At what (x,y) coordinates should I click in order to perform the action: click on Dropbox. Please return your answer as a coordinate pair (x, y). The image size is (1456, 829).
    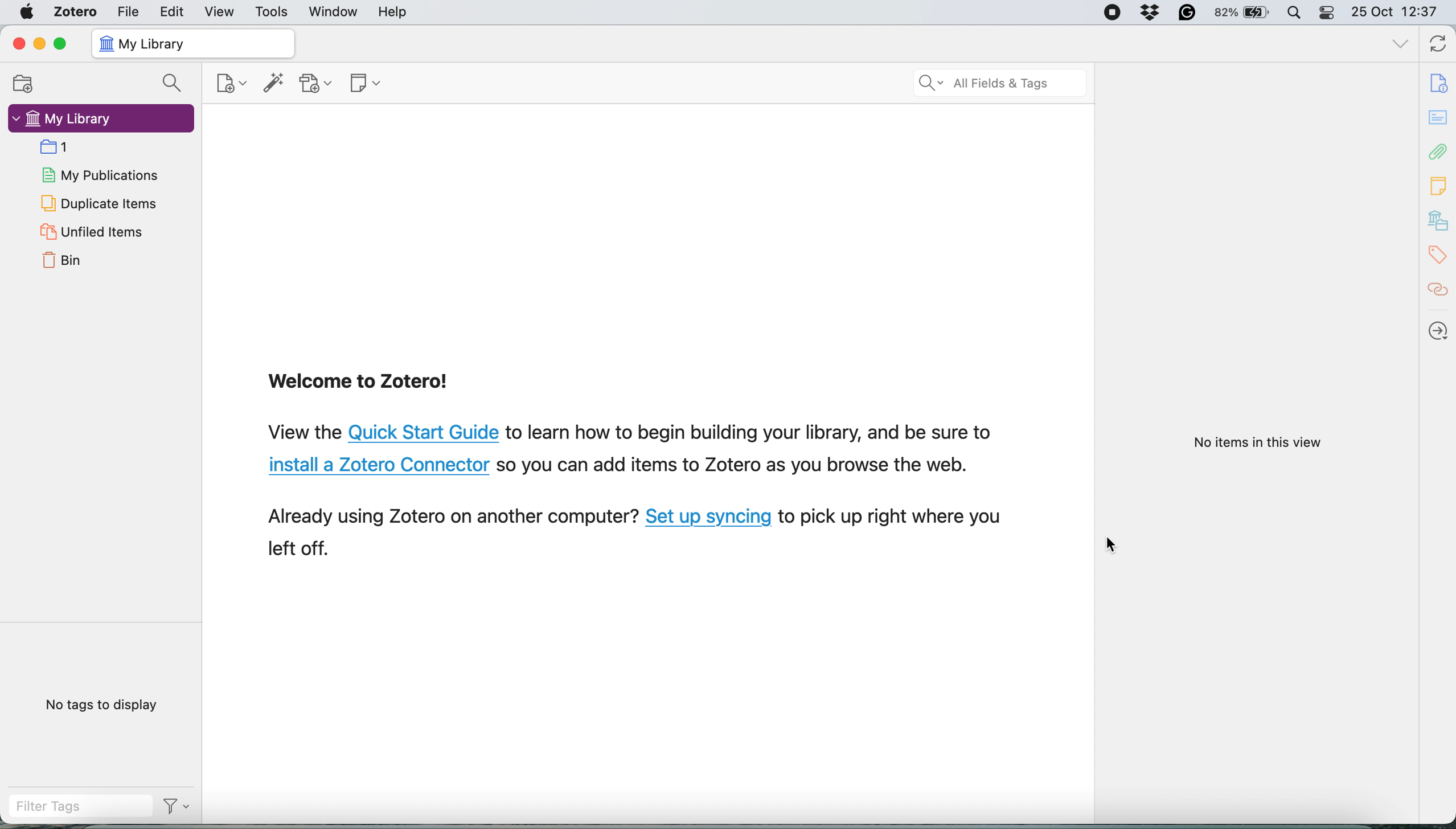
    Looking at the image, I should click on (1149, 11).